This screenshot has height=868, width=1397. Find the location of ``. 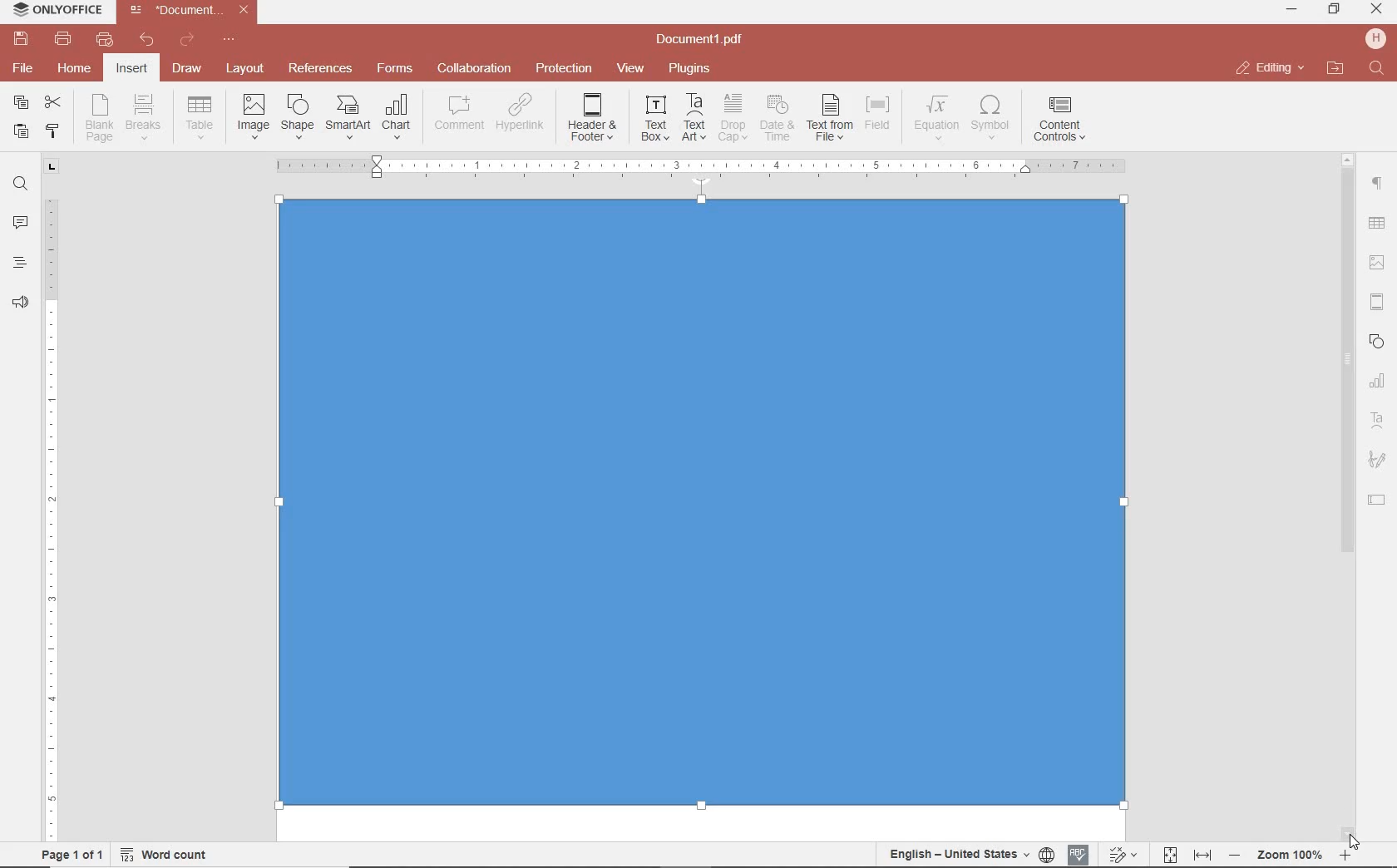

 is located at coordinates (699, 166).